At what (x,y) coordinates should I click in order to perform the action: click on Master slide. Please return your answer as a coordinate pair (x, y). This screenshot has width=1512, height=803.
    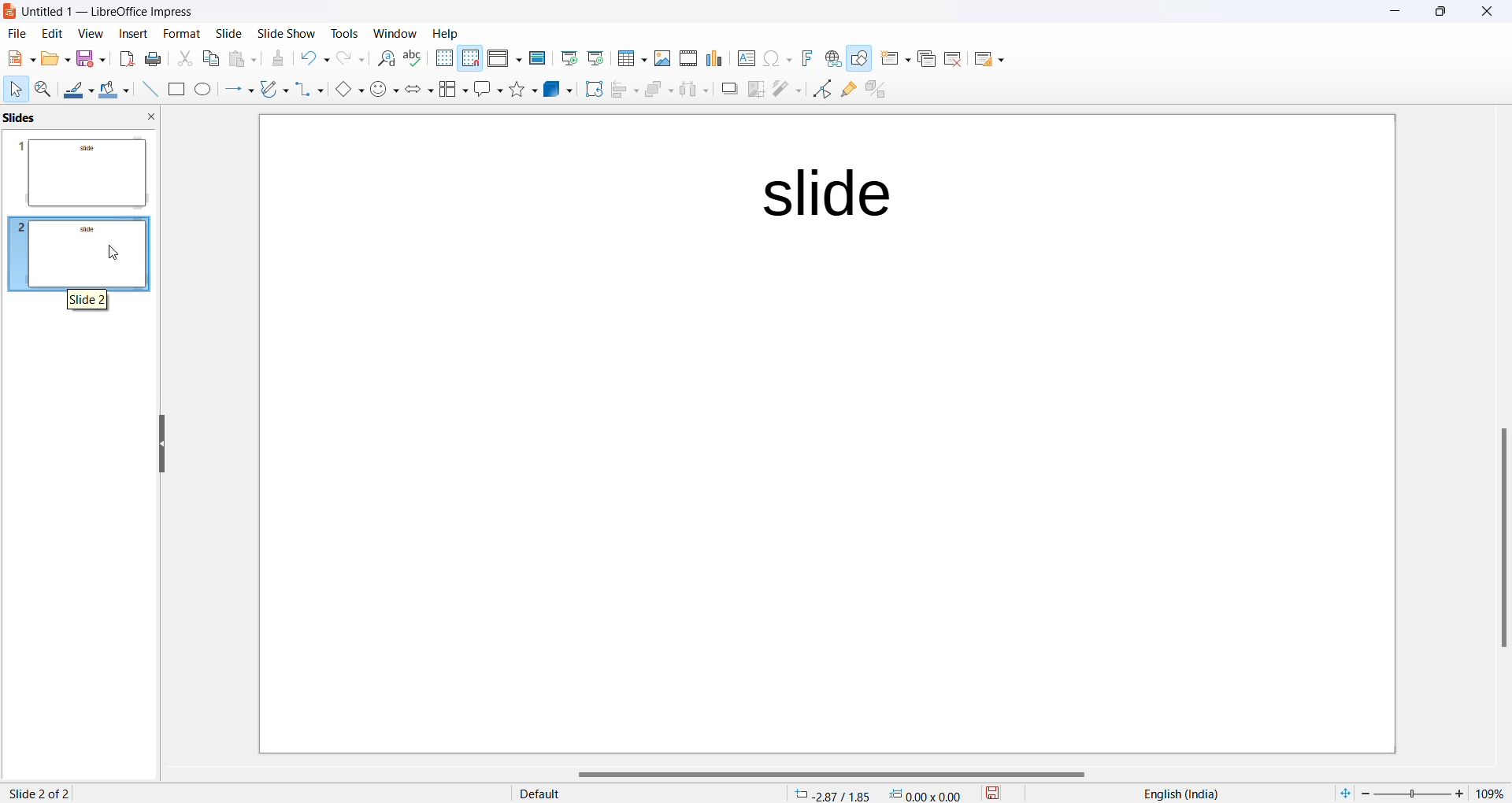
    Looking at the image, I should click on (537, 58).